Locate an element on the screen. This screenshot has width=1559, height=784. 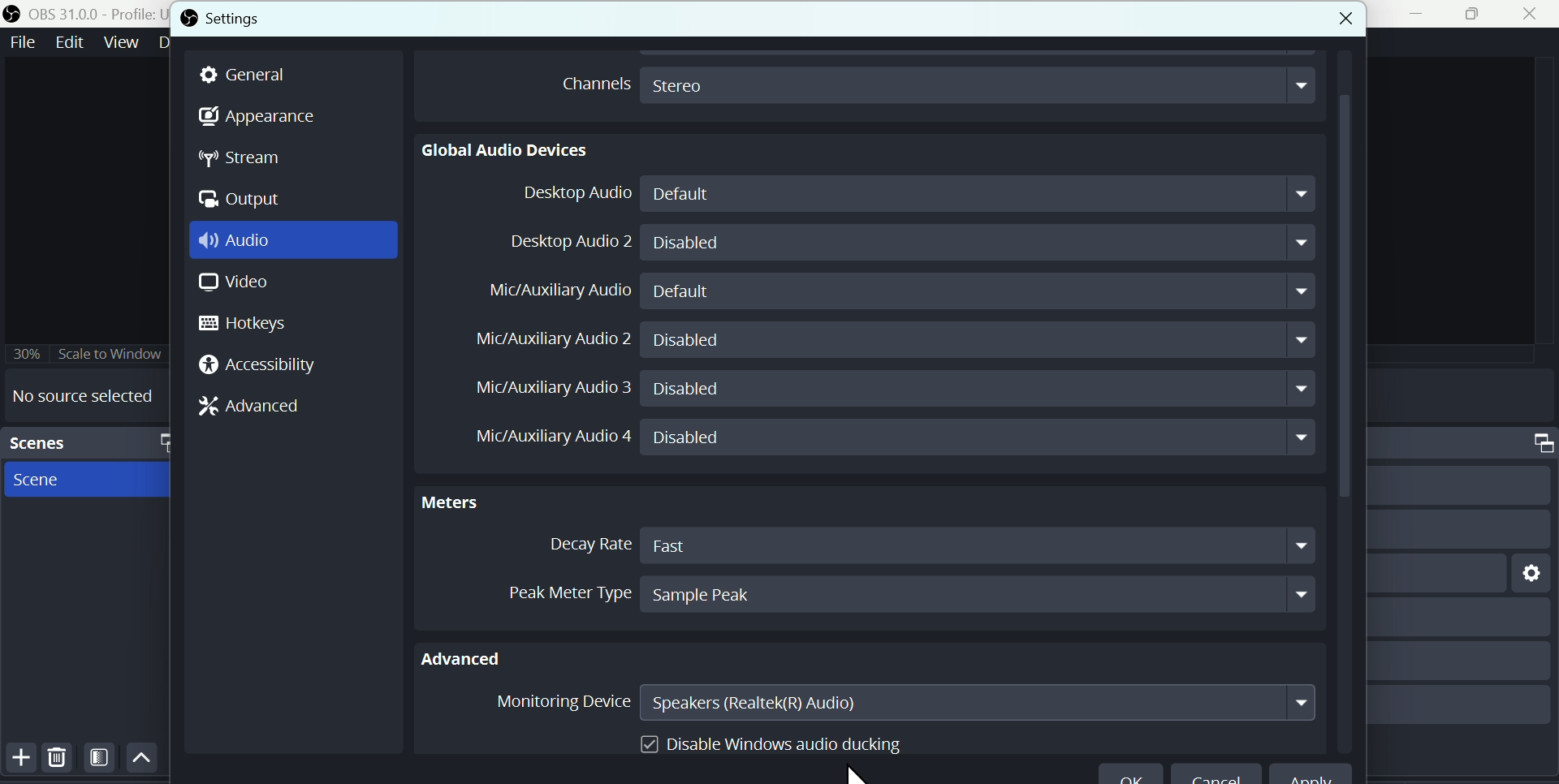
Channels is located at coordinates (591, 82).